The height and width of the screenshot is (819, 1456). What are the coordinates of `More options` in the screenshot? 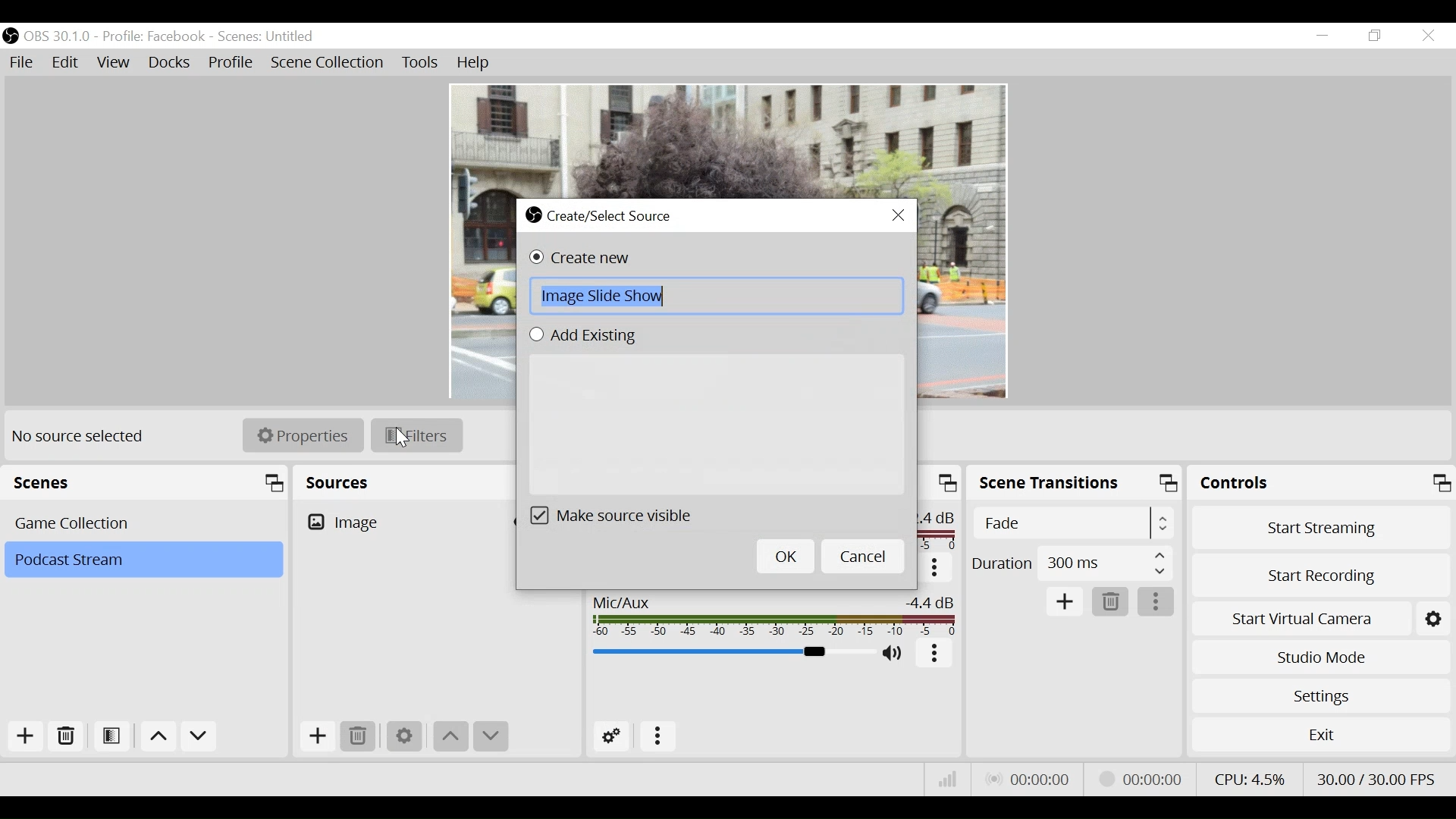 It's located at (659, 737).